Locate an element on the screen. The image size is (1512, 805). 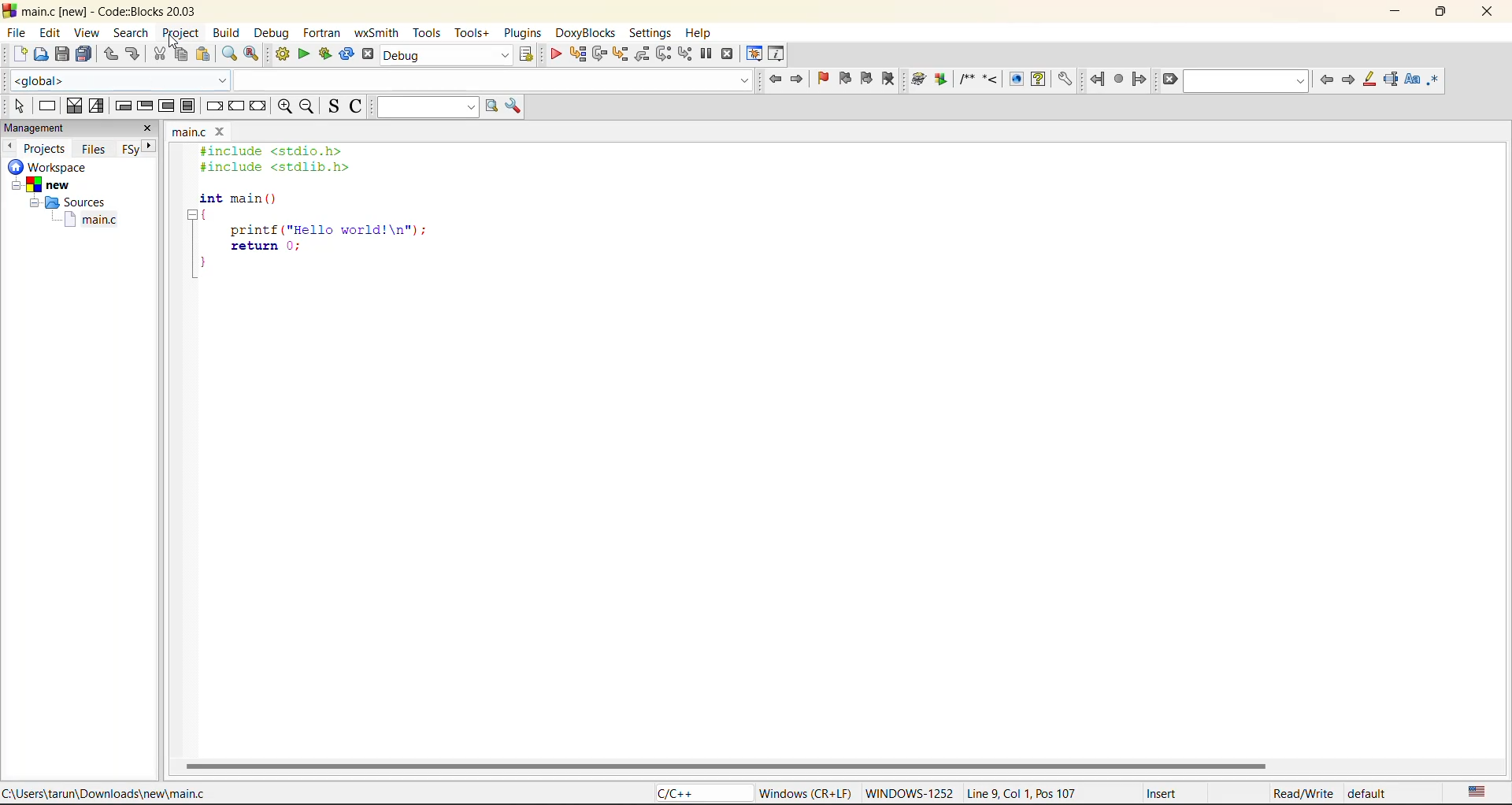
tools is located at coordinates (429, 33).